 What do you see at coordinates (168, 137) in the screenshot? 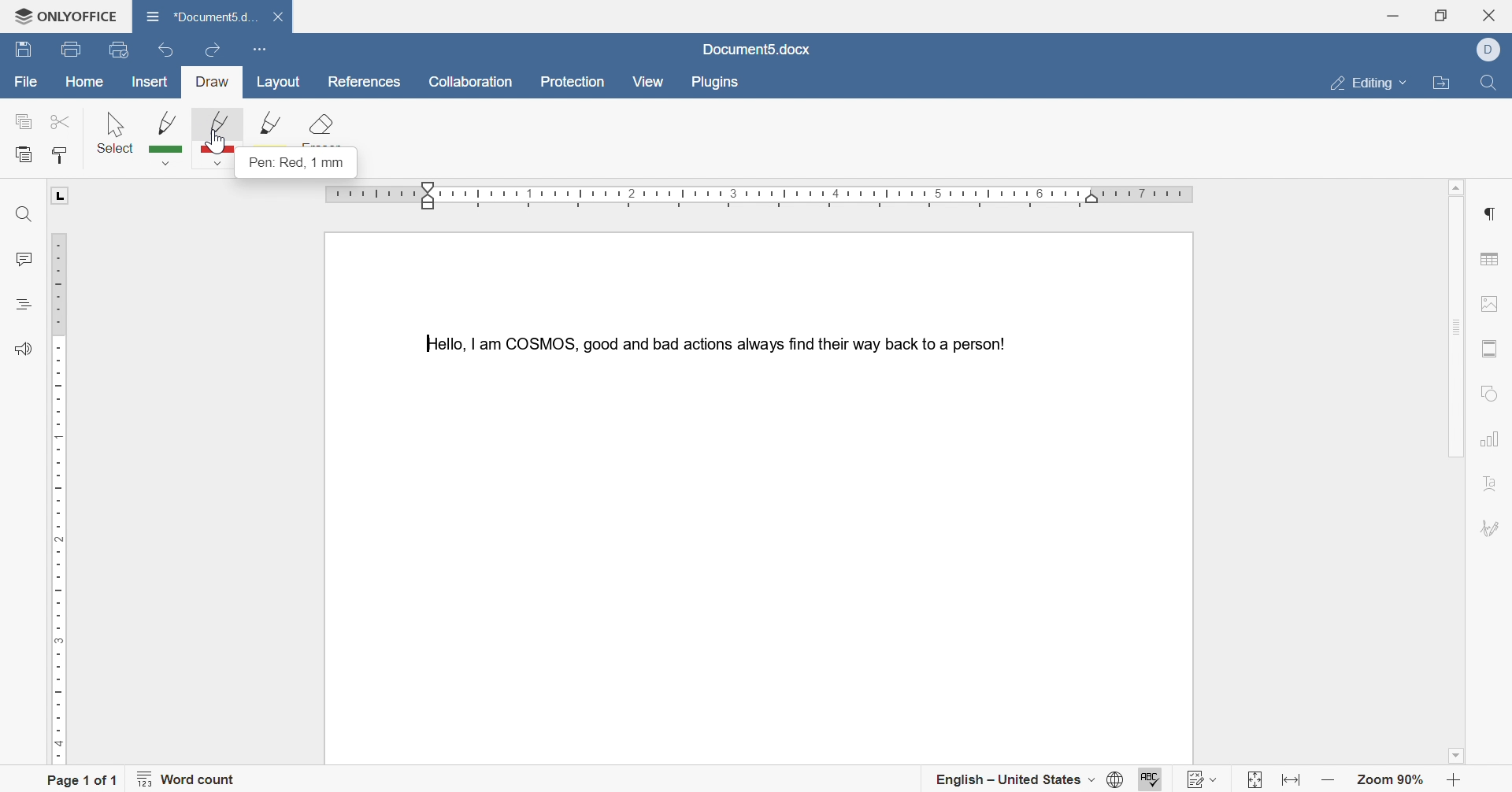
I see `green pen ` at bounding box center [168, 137].